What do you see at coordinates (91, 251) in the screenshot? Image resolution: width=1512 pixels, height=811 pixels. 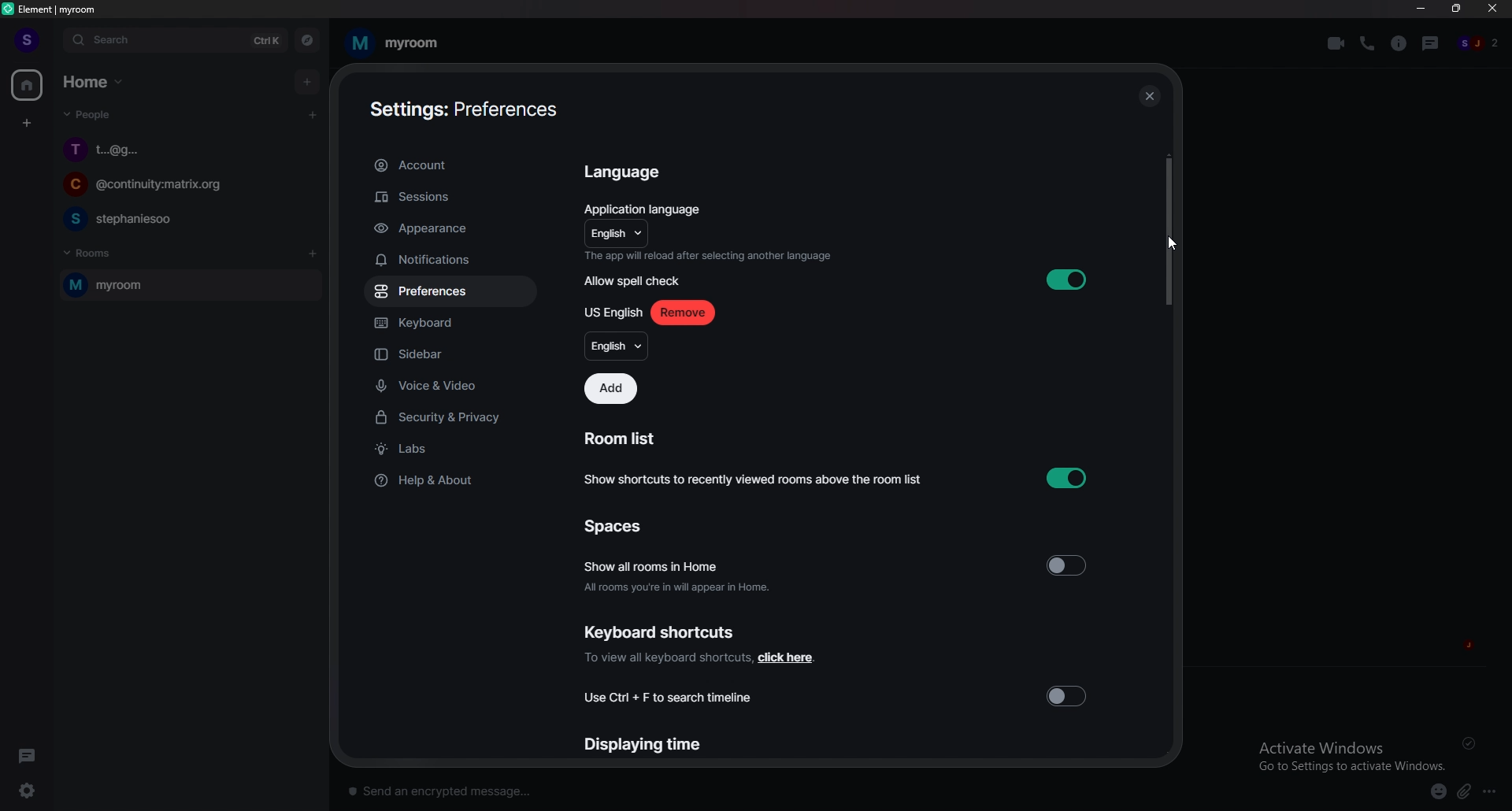 I see `Rooms` at bounding box center [91, 251].